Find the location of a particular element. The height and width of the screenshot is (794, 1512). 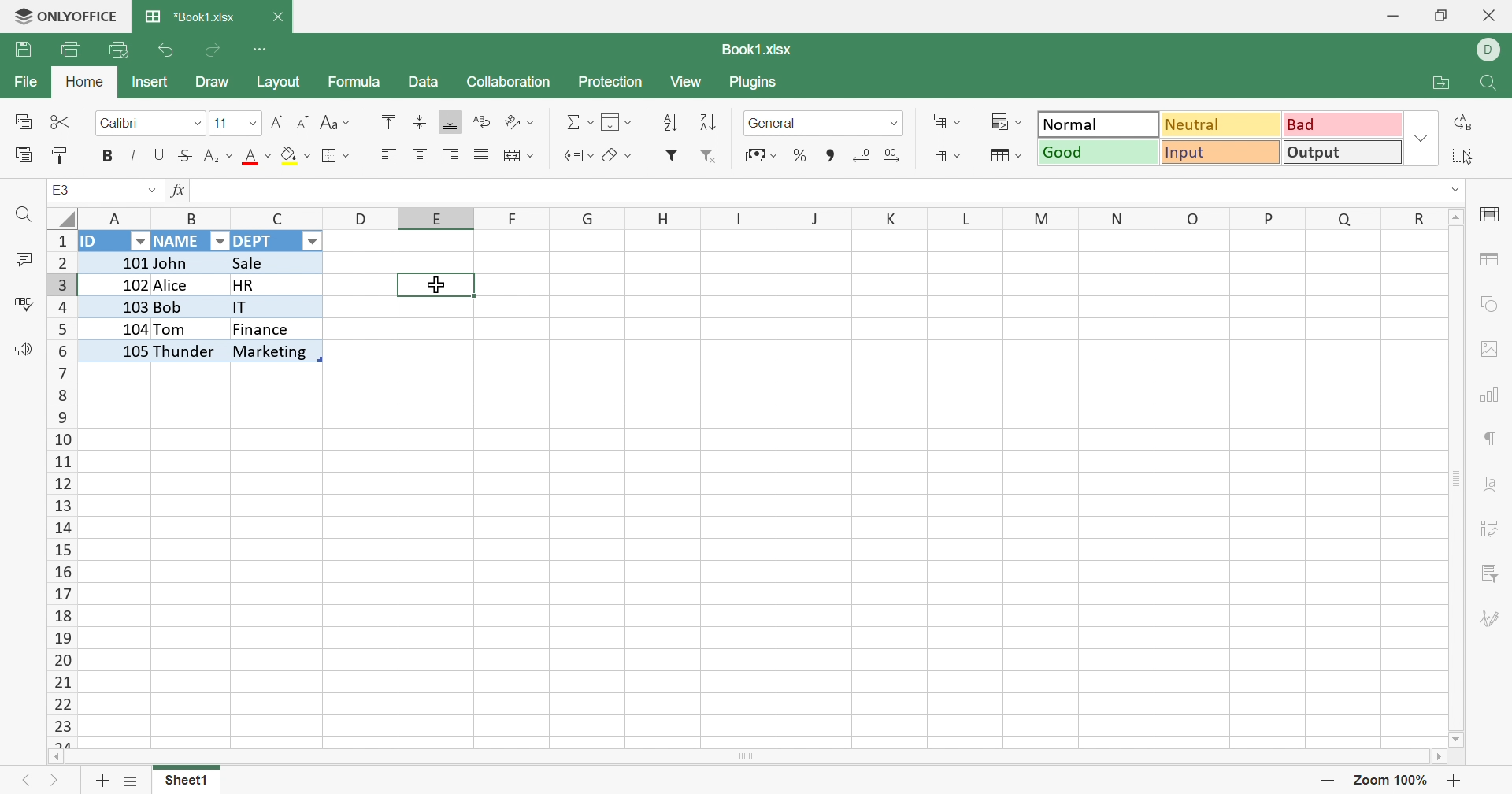

Drop Down is located at coordinates (248, 124).